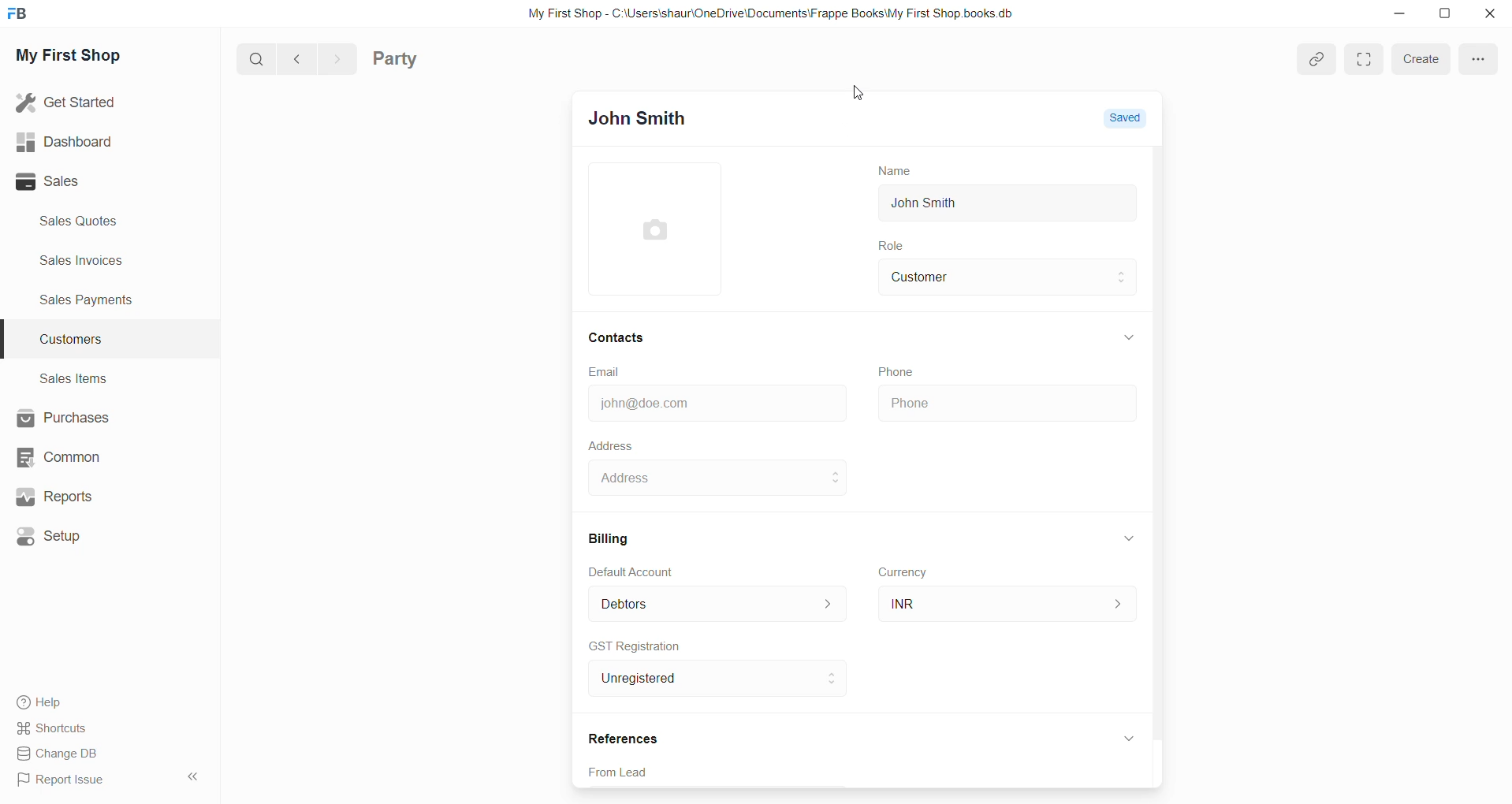 The height and width of the screenshot is (804, 1512). Describe the element at coordinates (614, 536) in the screenshot. I see `Billing` at that location.